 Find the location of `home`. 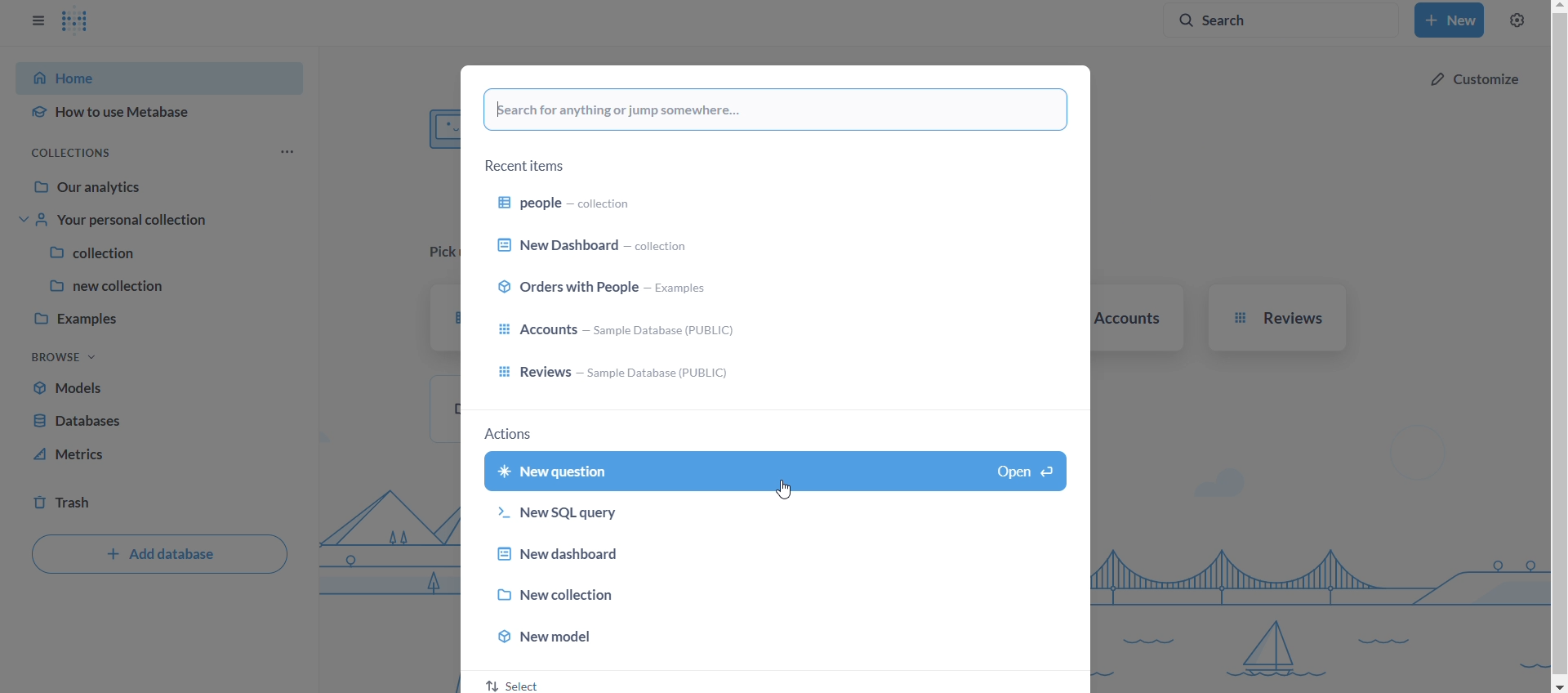

home is located at coordinates (159, 76).